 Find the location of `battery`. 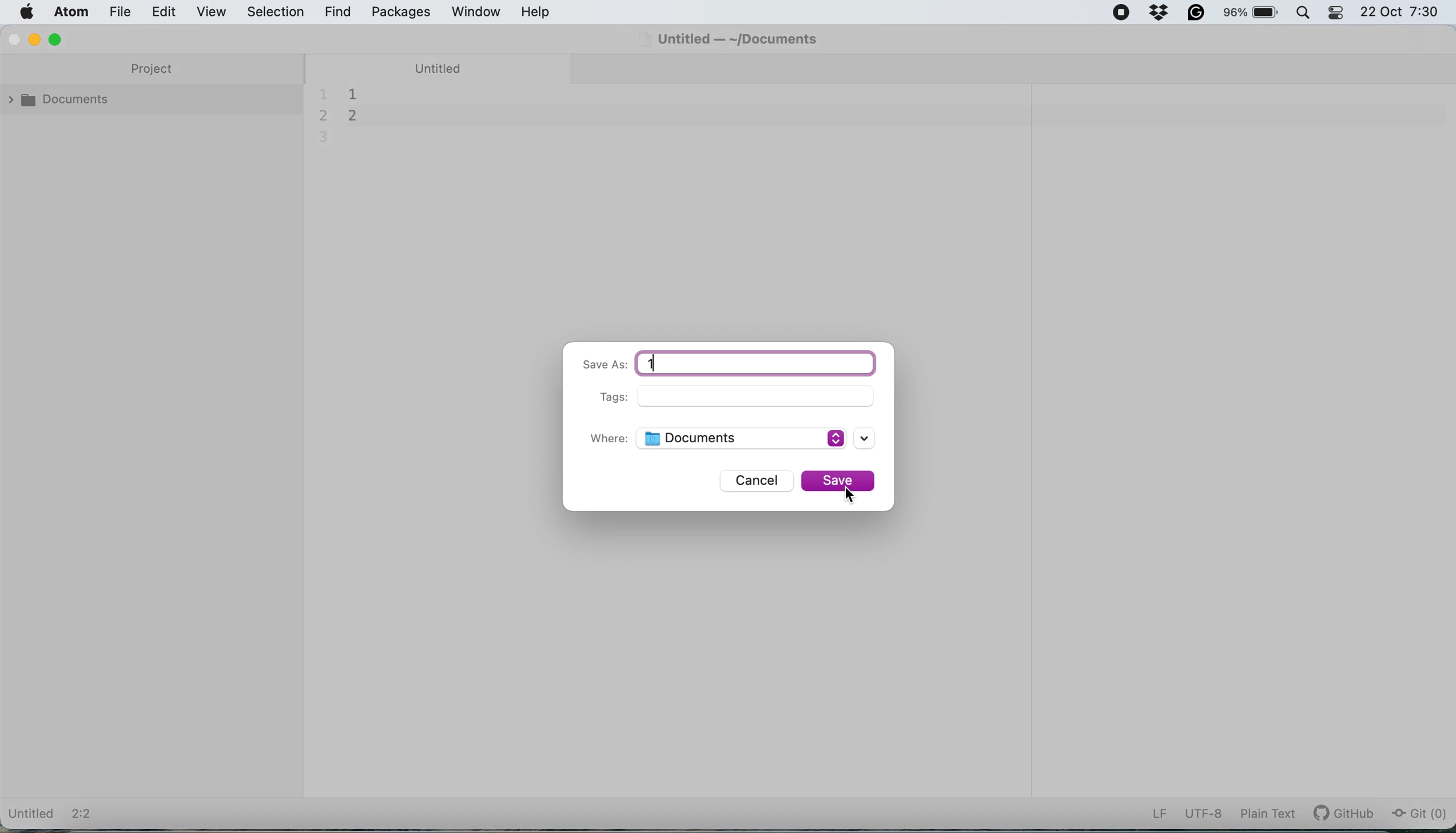

battery is located at coordinates (1246, 14).